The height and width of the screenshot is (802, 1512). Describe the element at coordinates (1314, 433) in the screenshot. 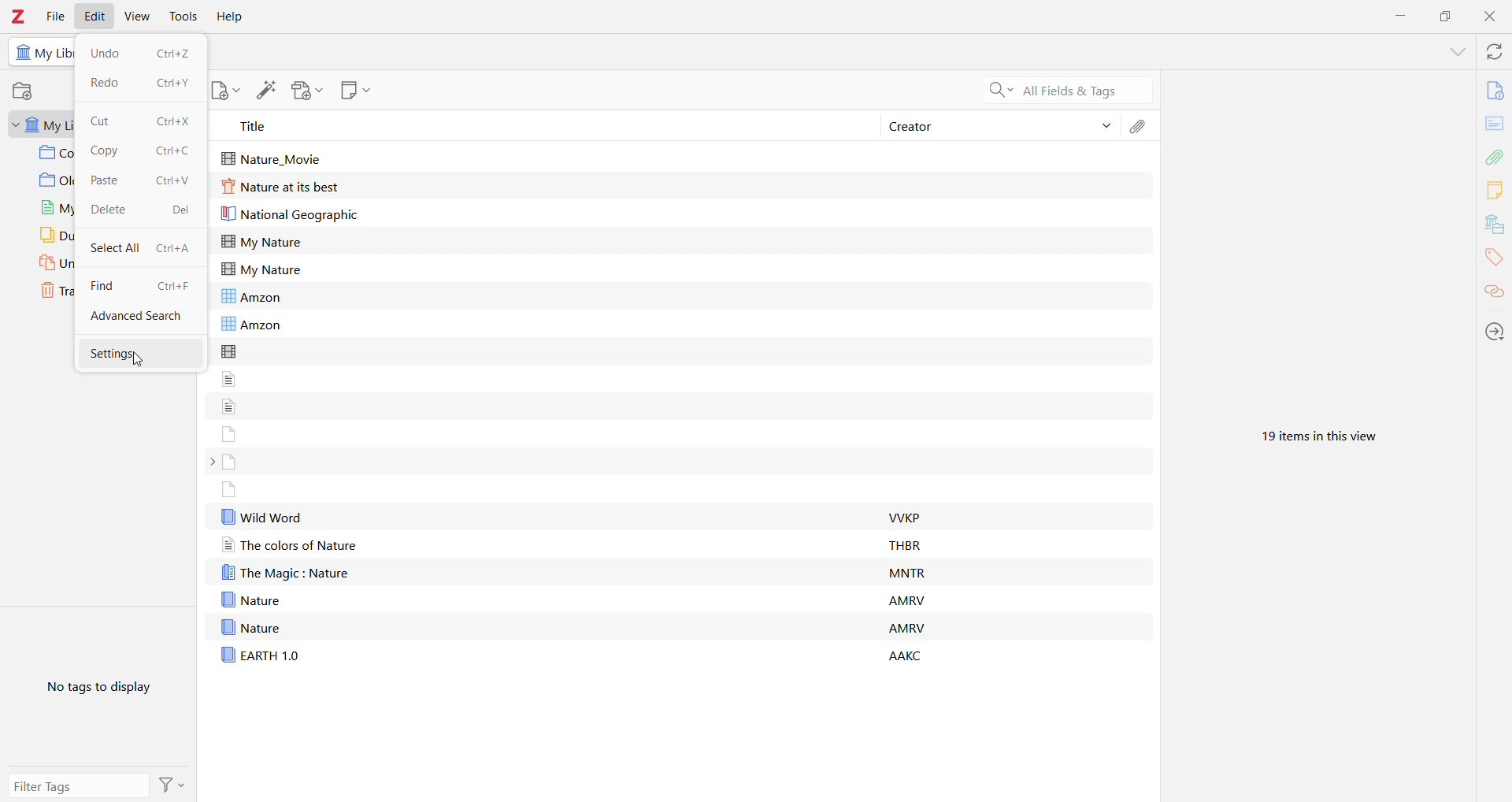

I see `19 items in this view` at that location.